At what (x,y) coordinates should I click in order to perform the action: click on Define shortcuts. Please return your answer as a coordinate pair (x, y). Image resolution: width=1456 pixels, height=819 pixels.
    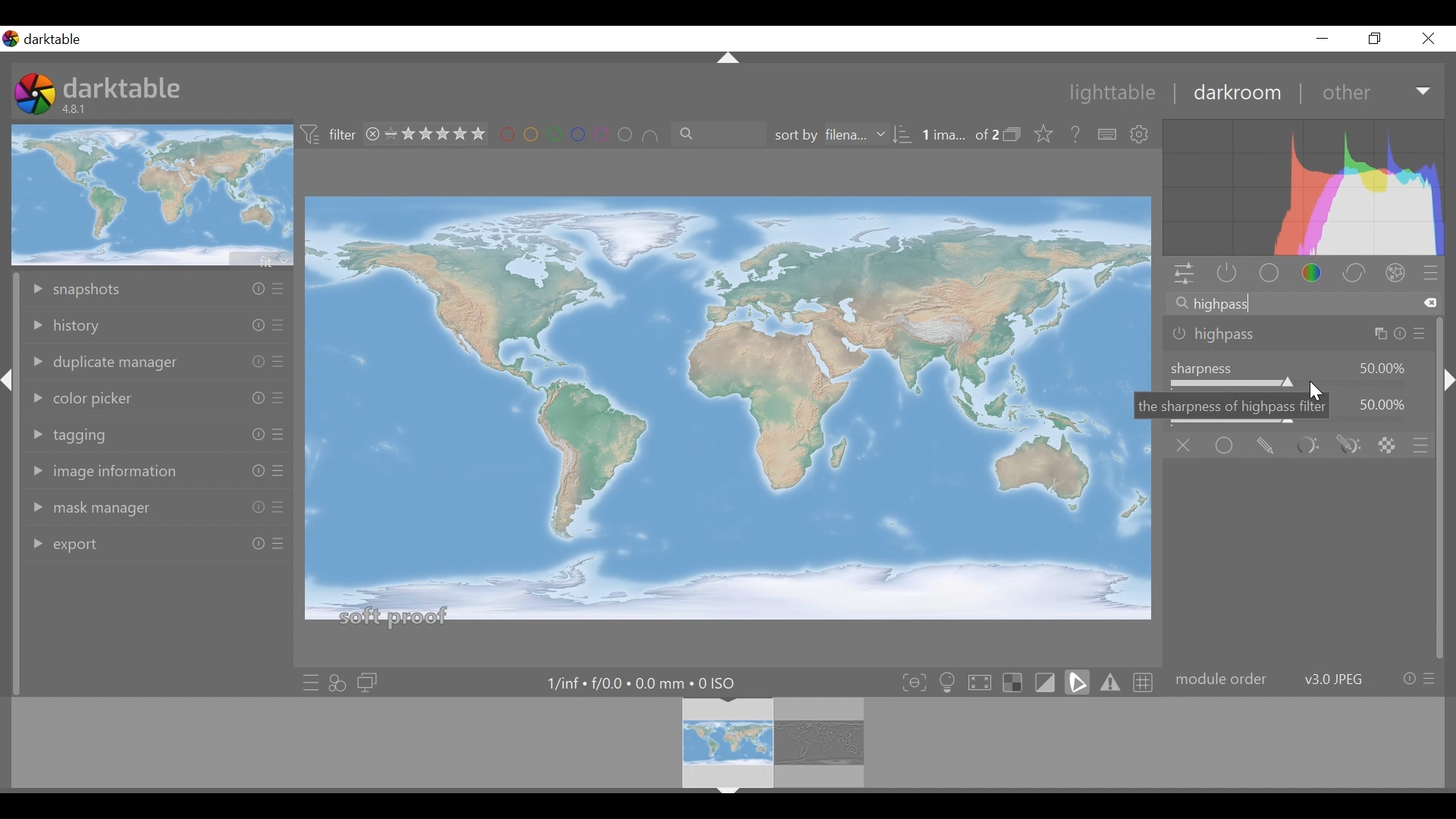
    Looking at the image, I should click on (1107, 135).